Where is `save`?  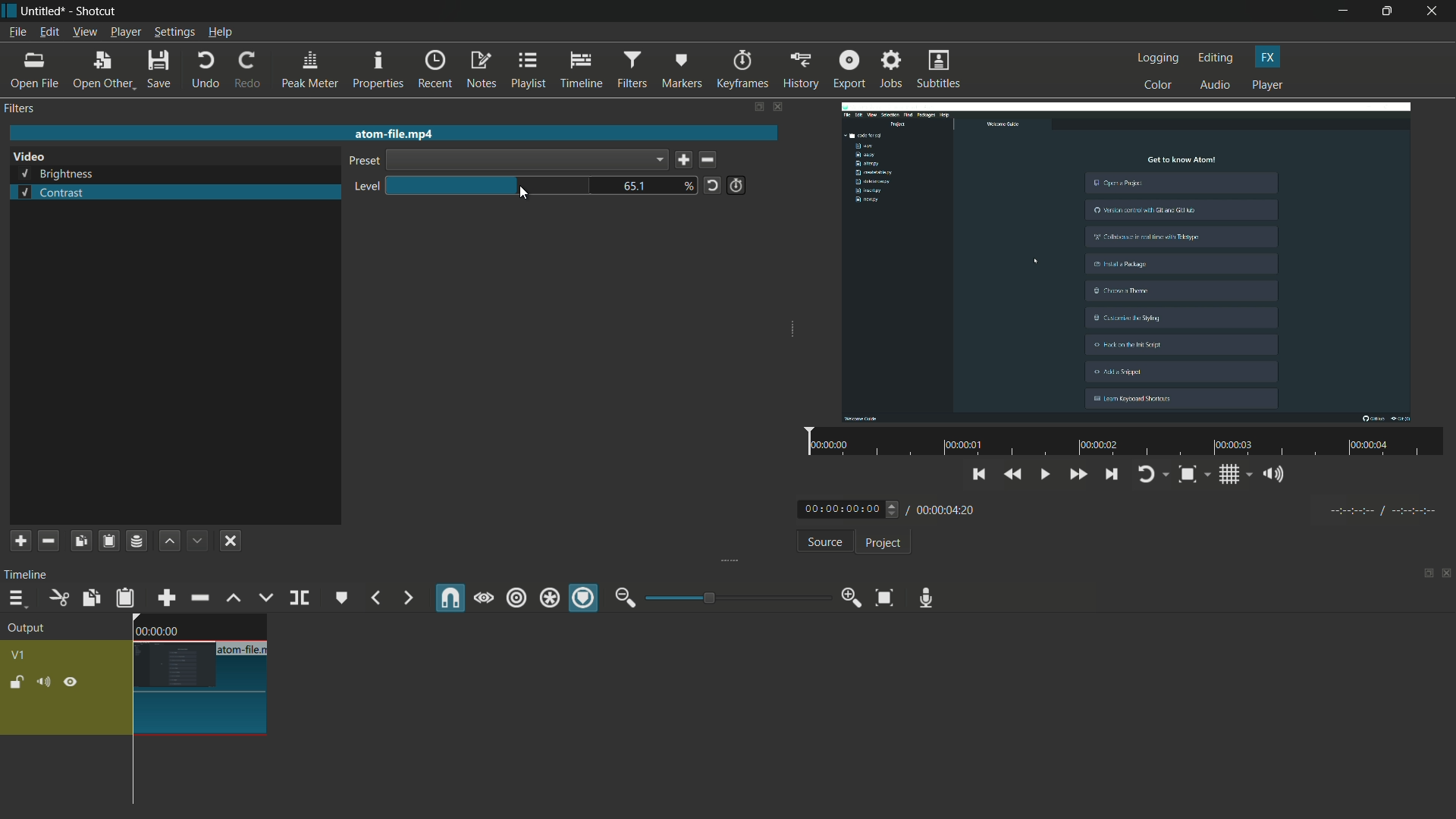 save is located at coordinates (683, 161).